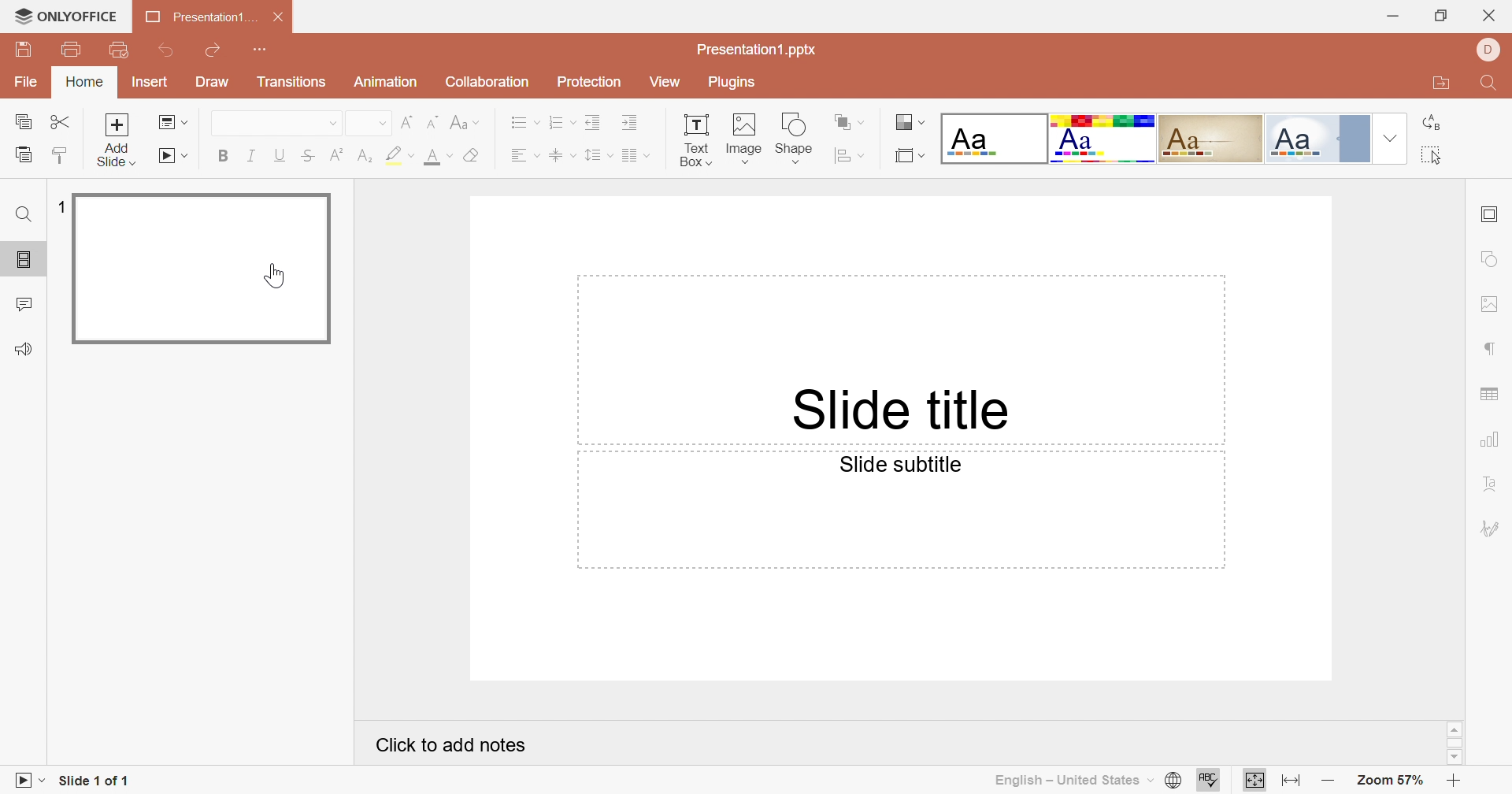 The image size is (1512, 794). Describe the element at coordinates (841, 121) in the screenshot. I see `Arrange shape` at that location.